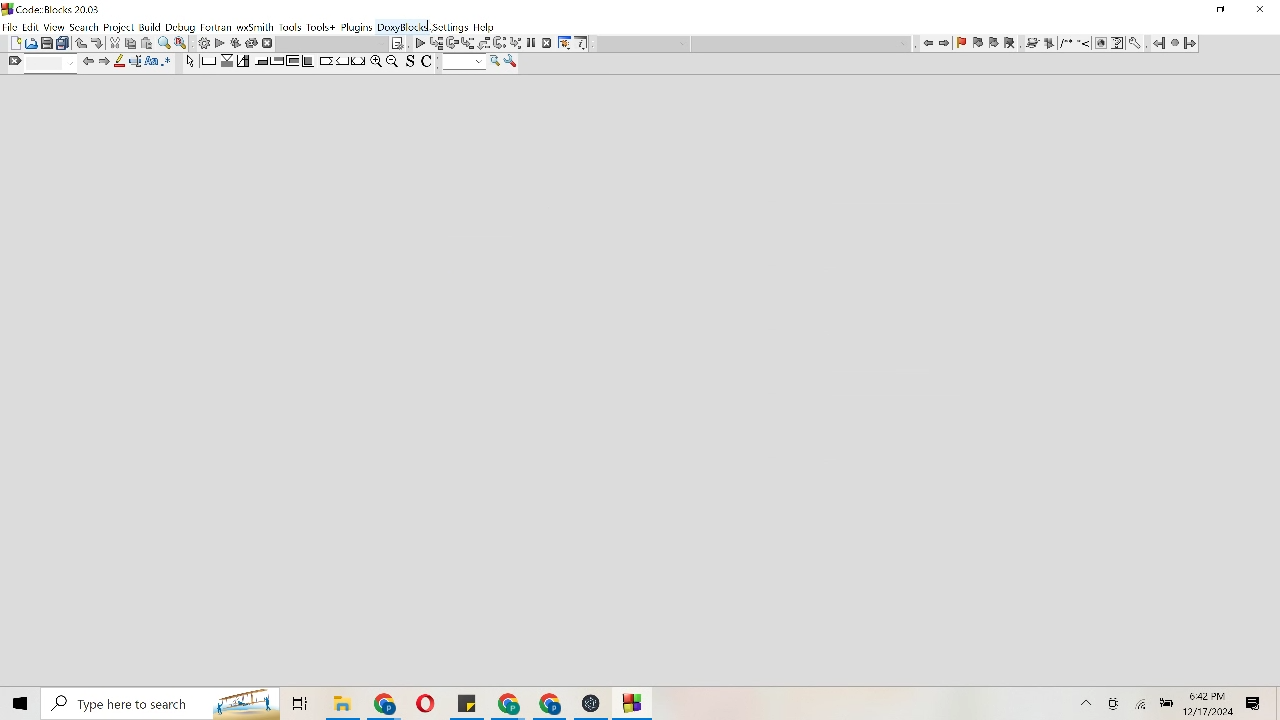 The width and height of the screenshot is (1280, 720). Describe the element at coordinates (118, 27) in the screenshot. I see `Project` at that location.